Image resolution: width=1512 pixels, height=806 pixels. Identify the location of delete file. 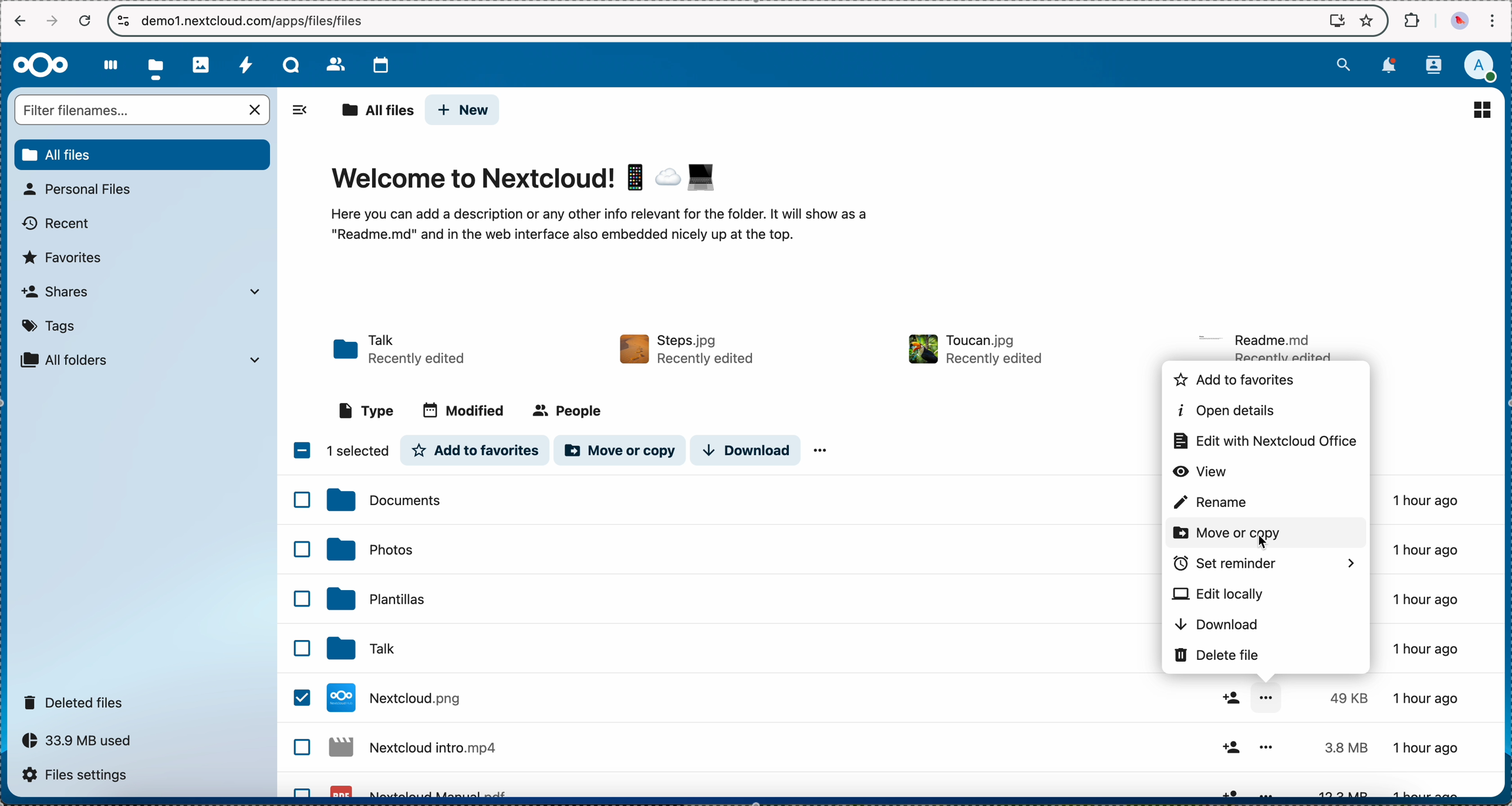
(1219, 654).